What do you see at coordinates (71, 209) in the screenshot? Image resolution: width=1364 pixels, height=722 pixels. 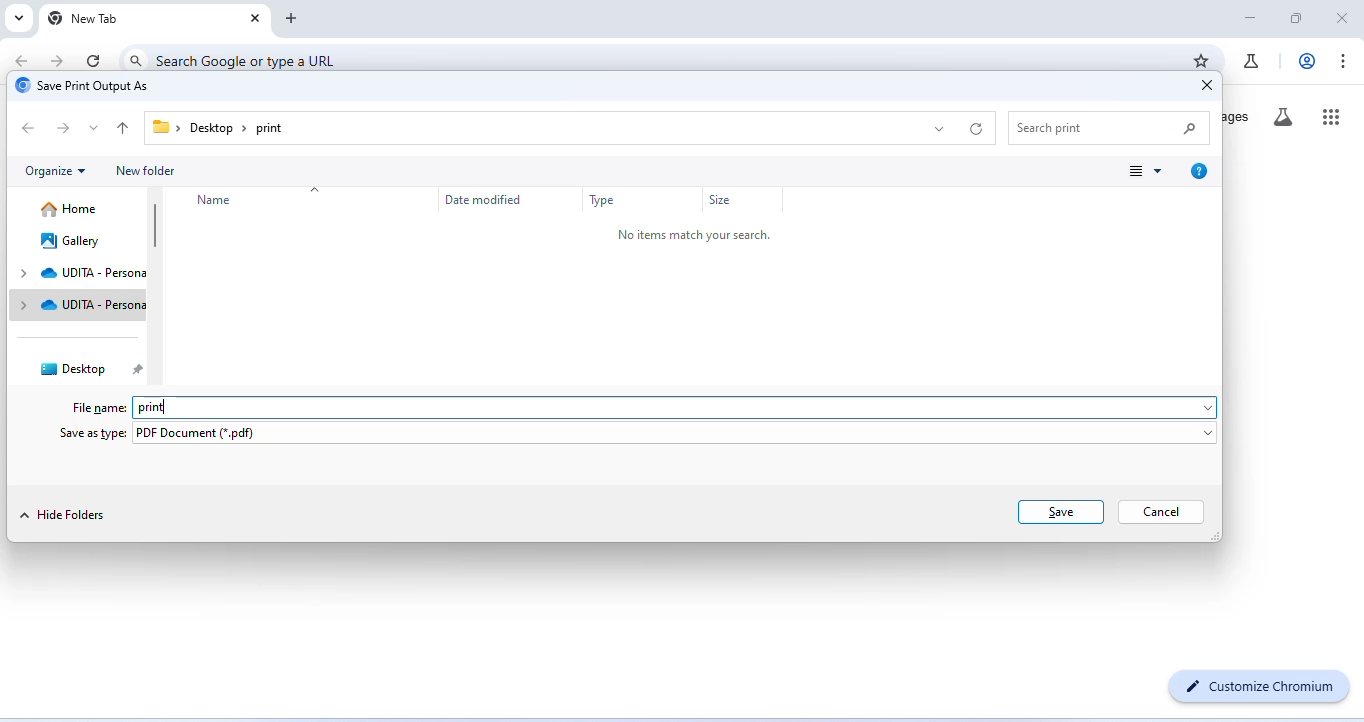 I see `home` at bounding box center [71, 209].